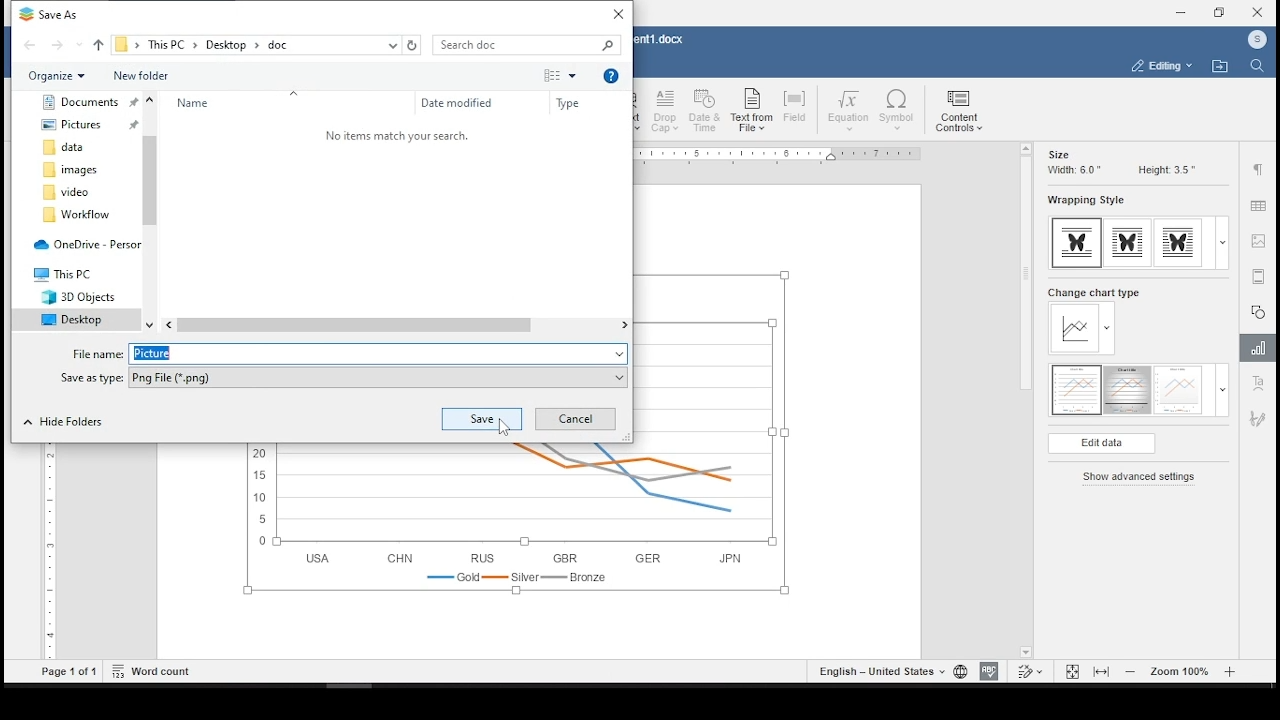 This screenshot has height=720, width=1280. I want to click on chart style 2, so click(1129, 391).